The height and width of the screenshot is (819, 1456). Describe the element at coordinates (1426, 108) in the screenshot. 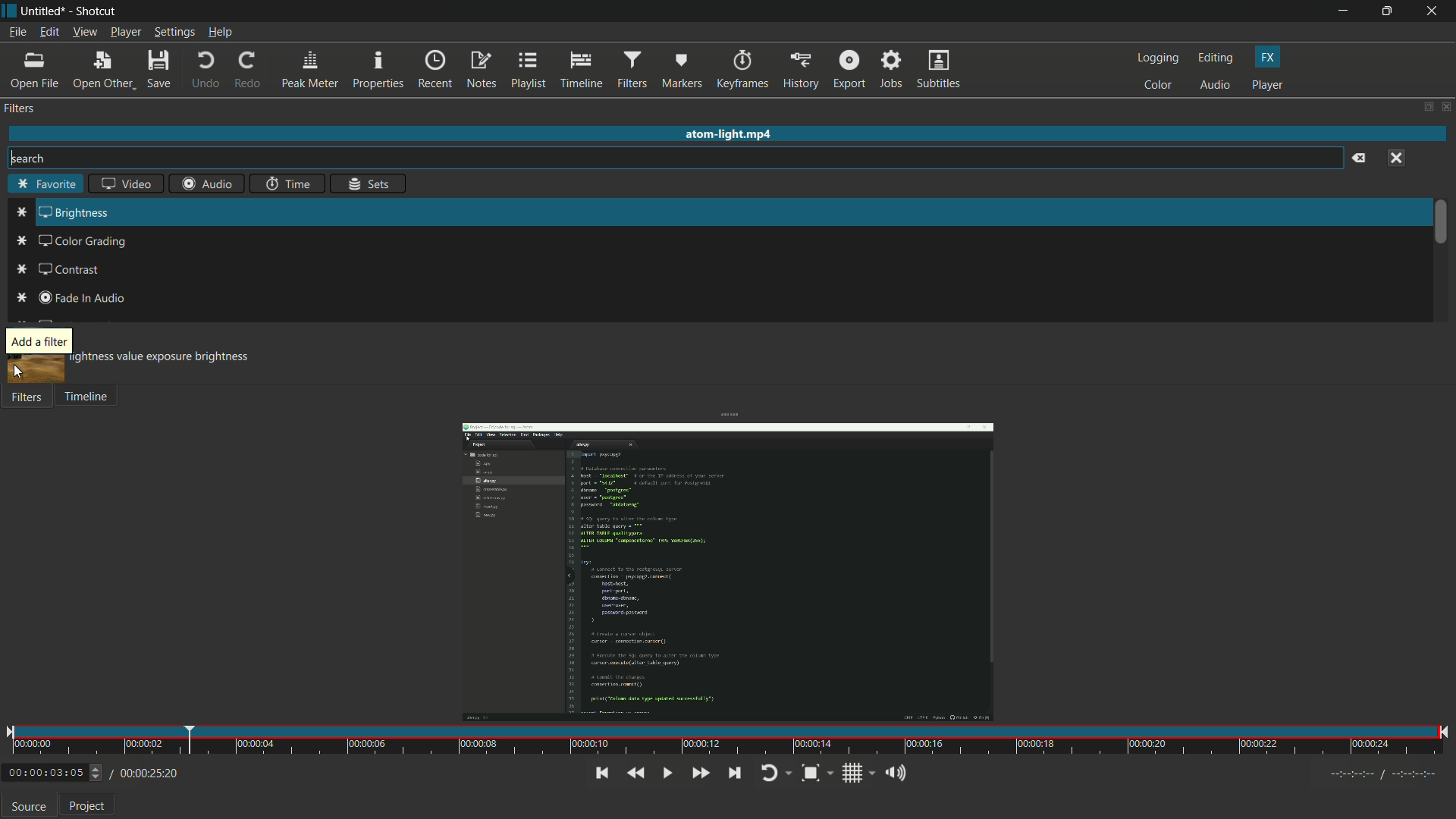

I see `change layout` at that location.